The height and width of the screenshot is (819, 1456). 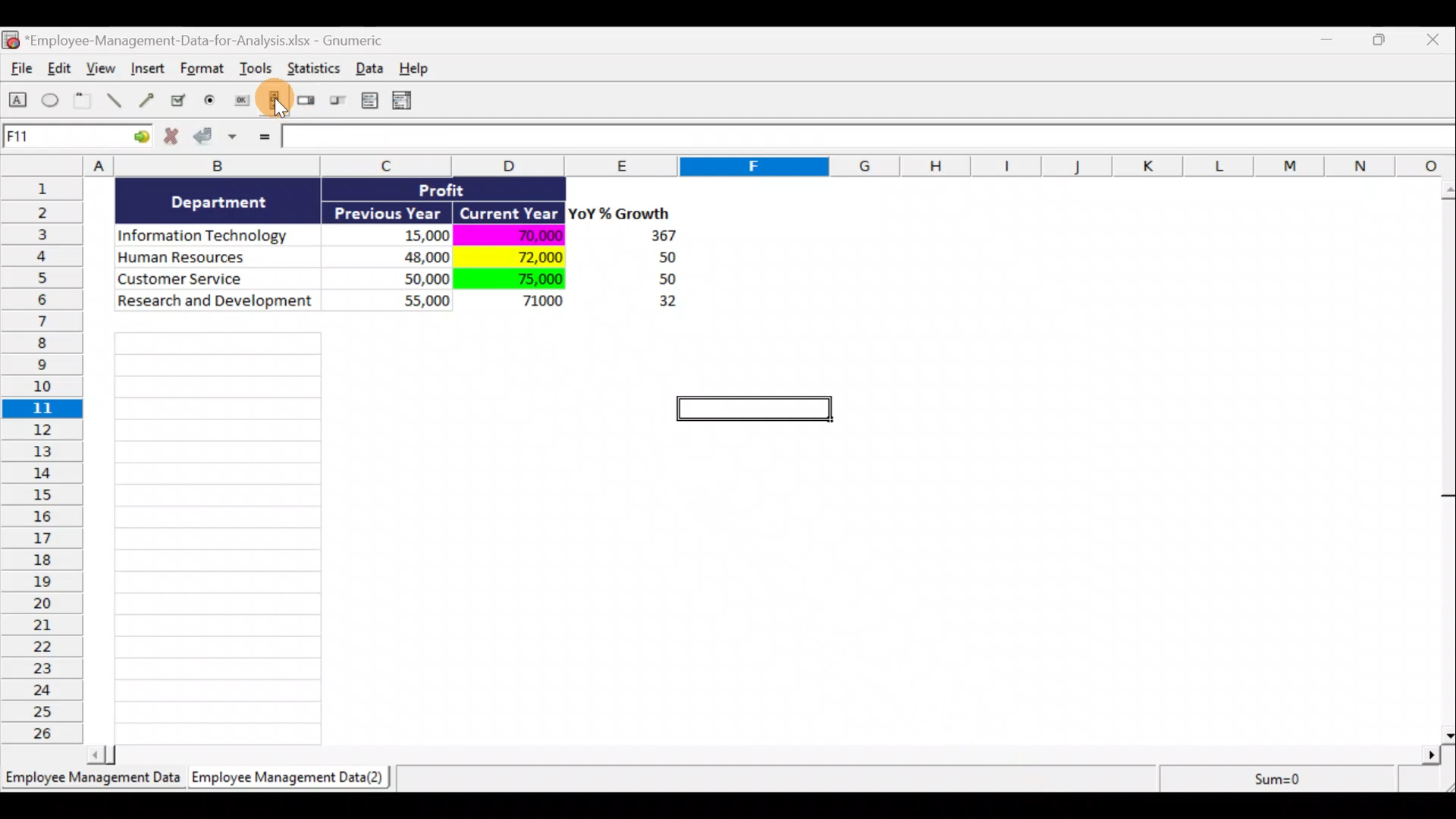 I want to click on Close, so click(x=1436, y=41).